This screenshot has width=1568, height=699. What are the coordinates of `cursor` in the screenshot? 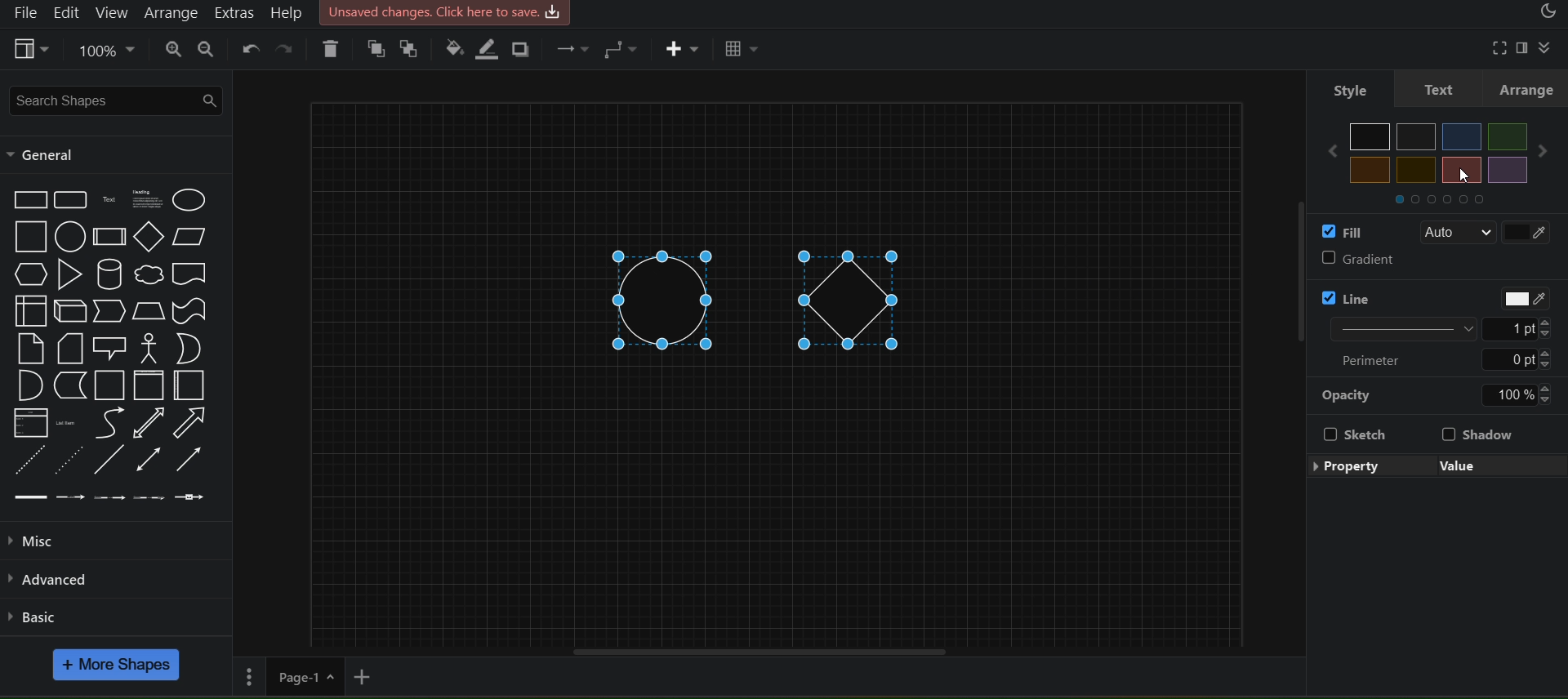 It's located at (1464, 176).